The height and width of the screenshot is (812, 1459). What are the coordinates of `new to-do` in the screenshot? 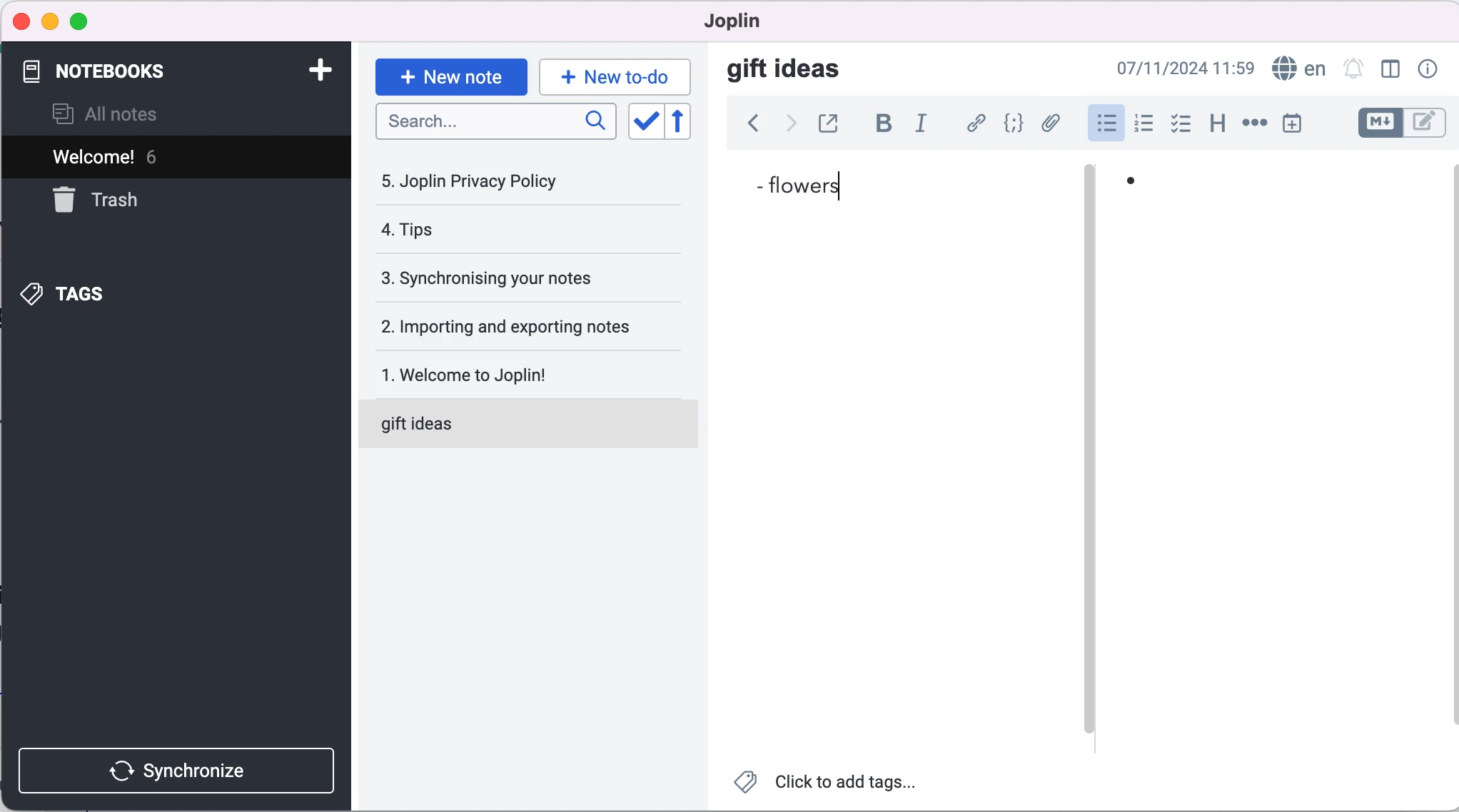 It's located at (618, 73).